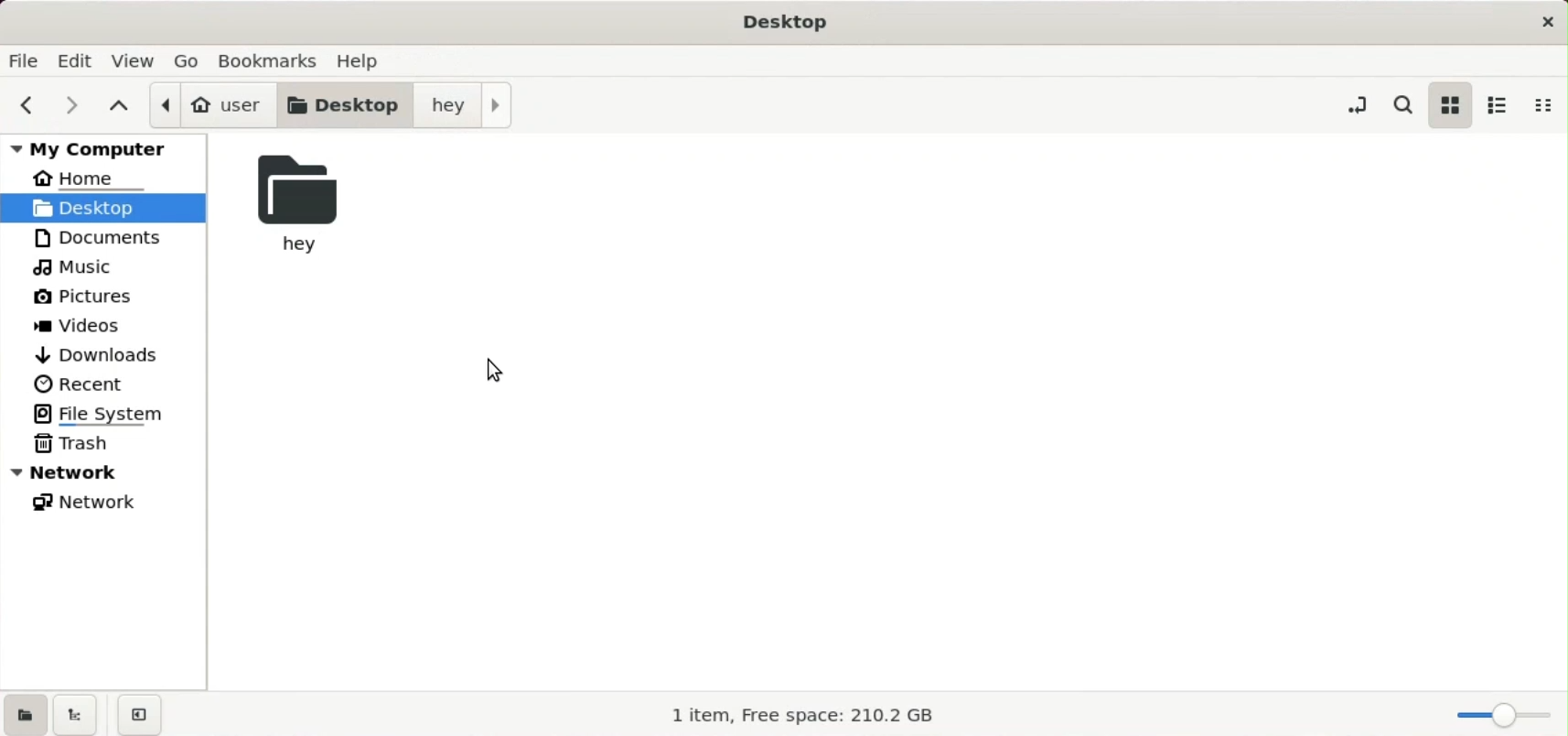 This screenshot has width=1568, height=736. I want to click on icon view, so click(1449, 104).